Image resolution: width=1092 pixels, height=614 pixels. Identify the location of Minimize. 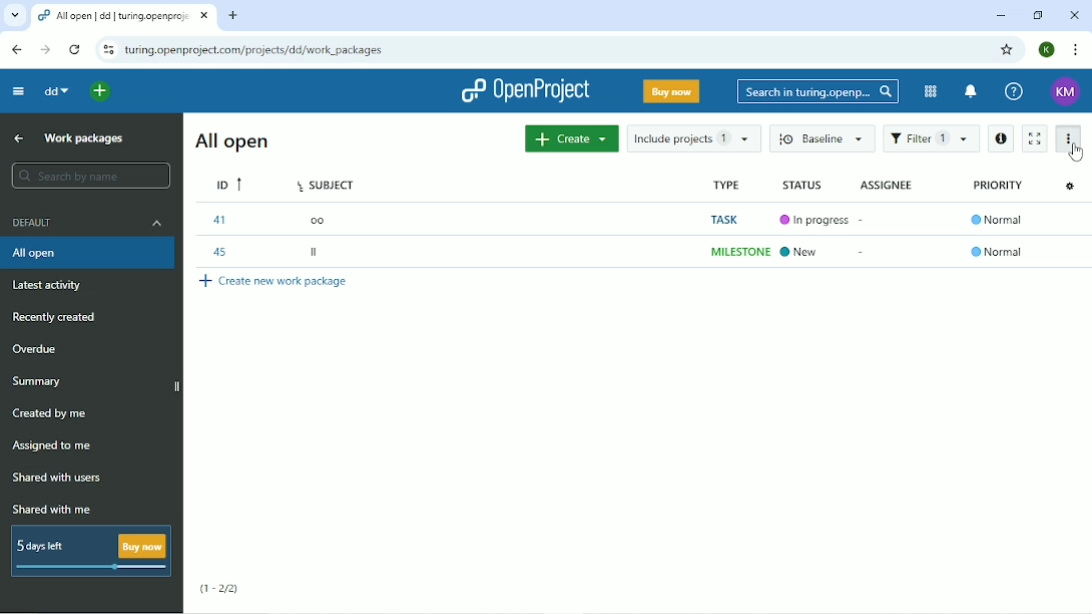
(1001, 16).